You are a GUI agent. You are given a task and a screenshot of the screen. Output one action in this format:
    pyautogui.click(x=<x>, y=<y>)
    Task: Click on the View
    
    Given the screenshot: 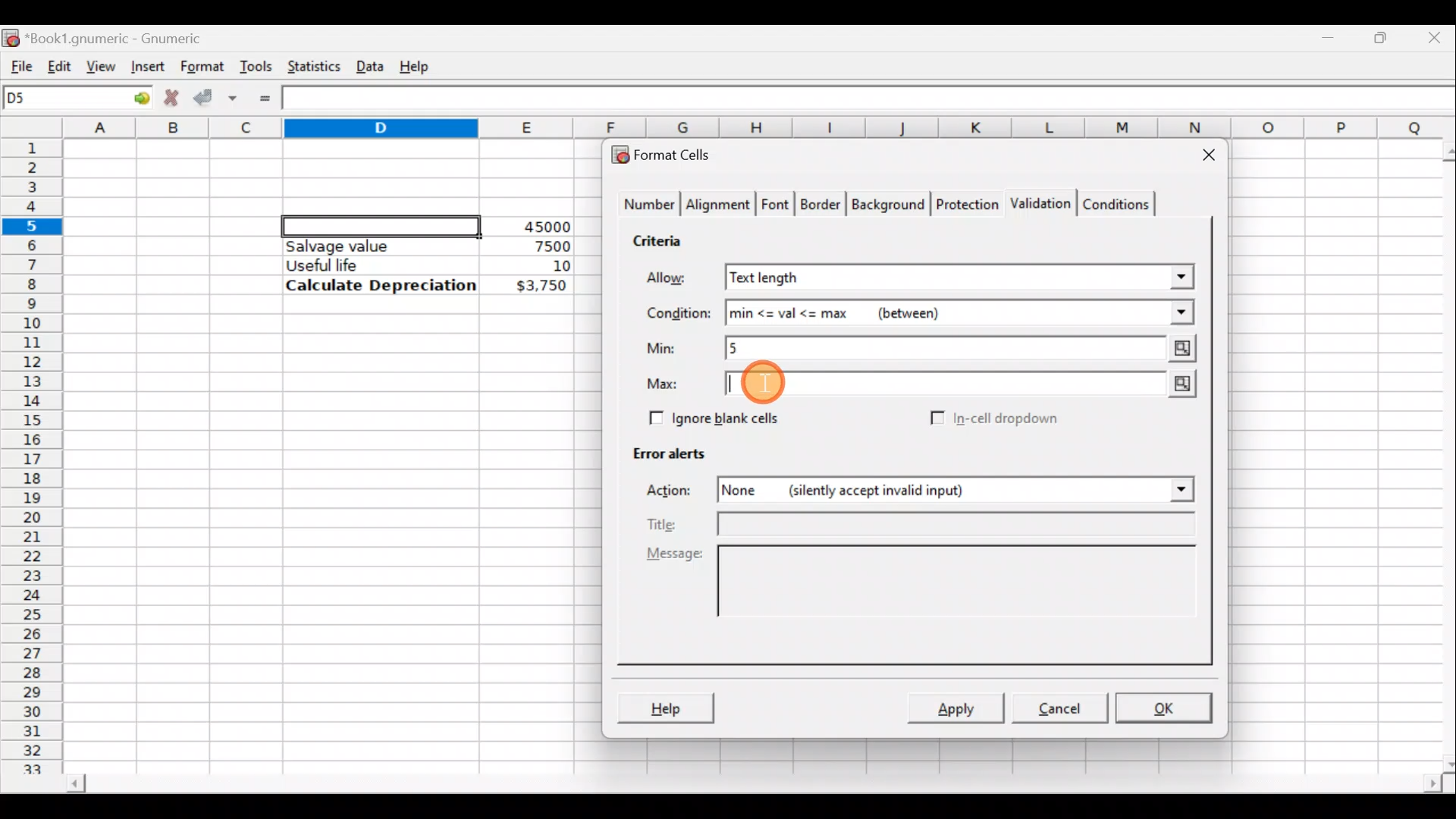 What is the action you would take?
    pyautogui.click(x=102, y=65)
    